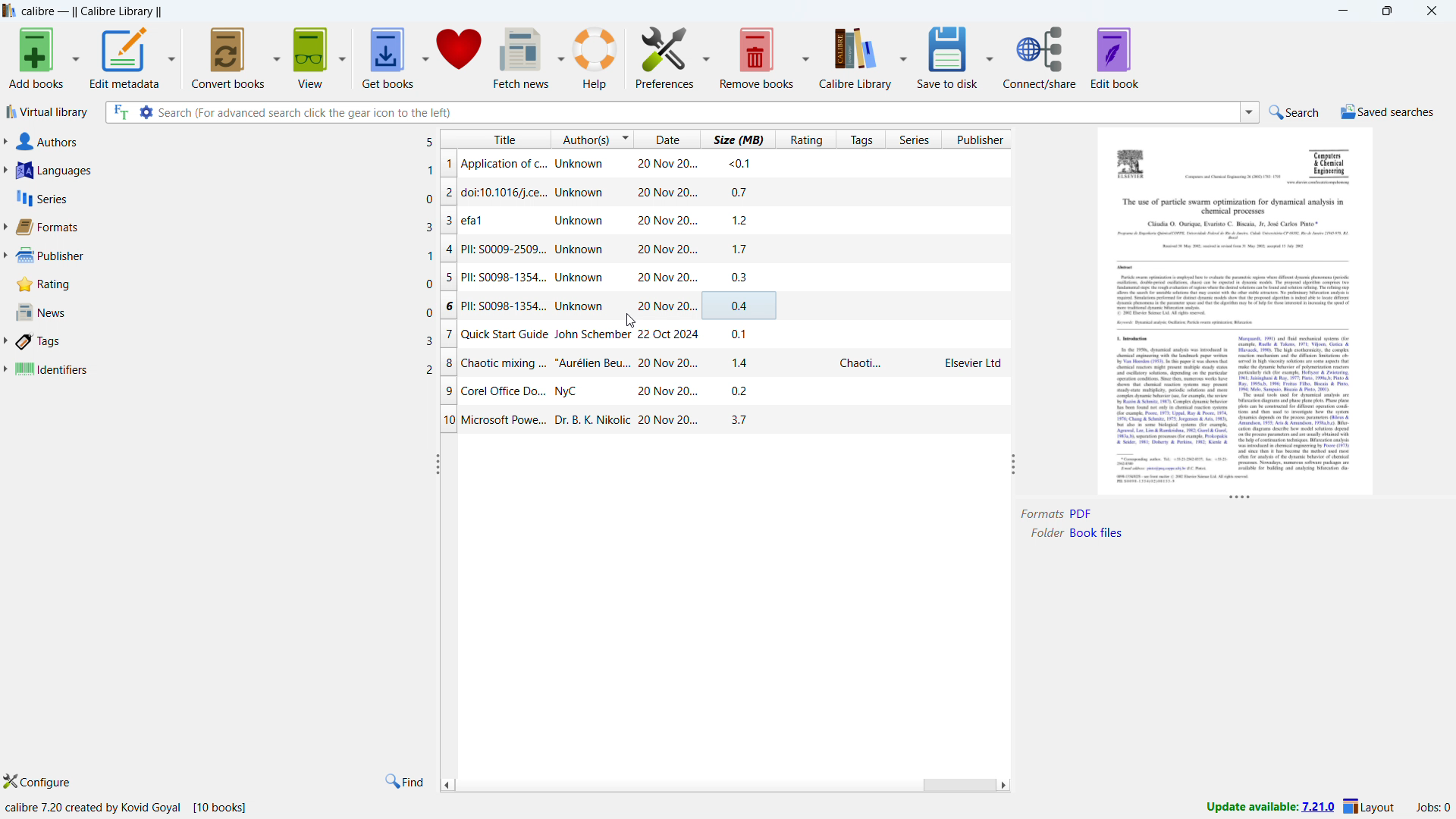  Describe the element at coordinates (1252, 807) in the screenshot. I see `Update available:` at that location.